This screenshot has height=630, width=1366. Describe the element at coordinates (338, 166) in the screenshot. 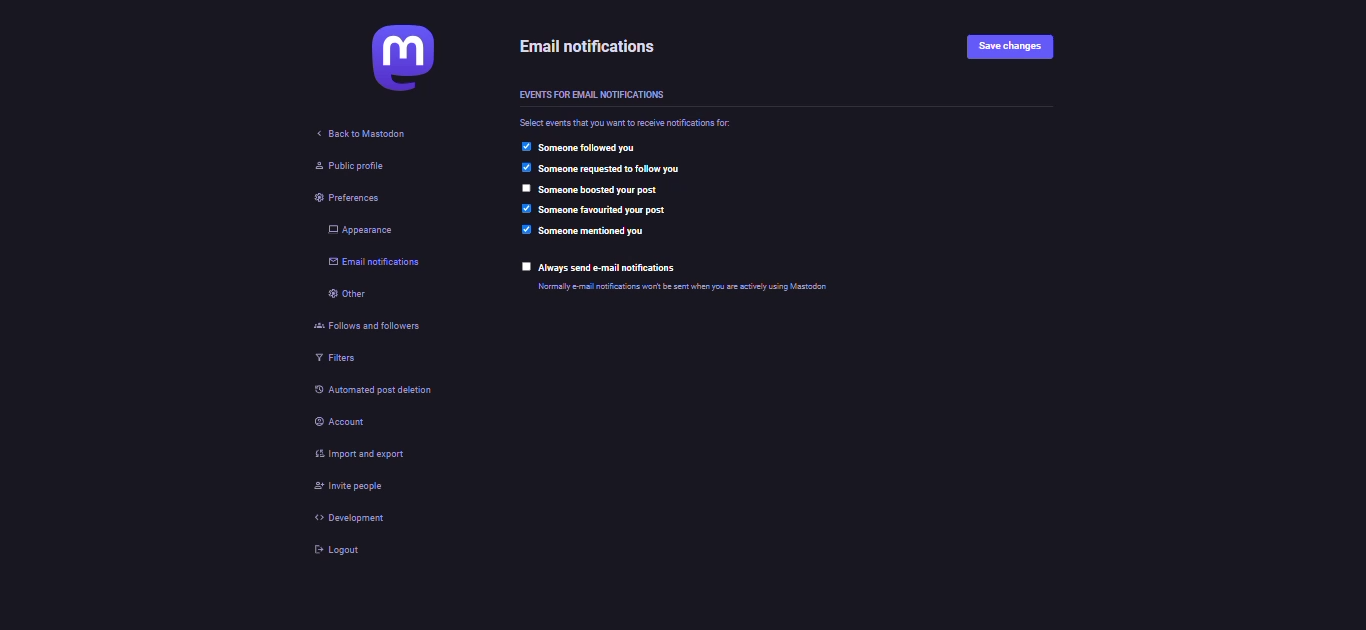

I see `public profile` at that location.